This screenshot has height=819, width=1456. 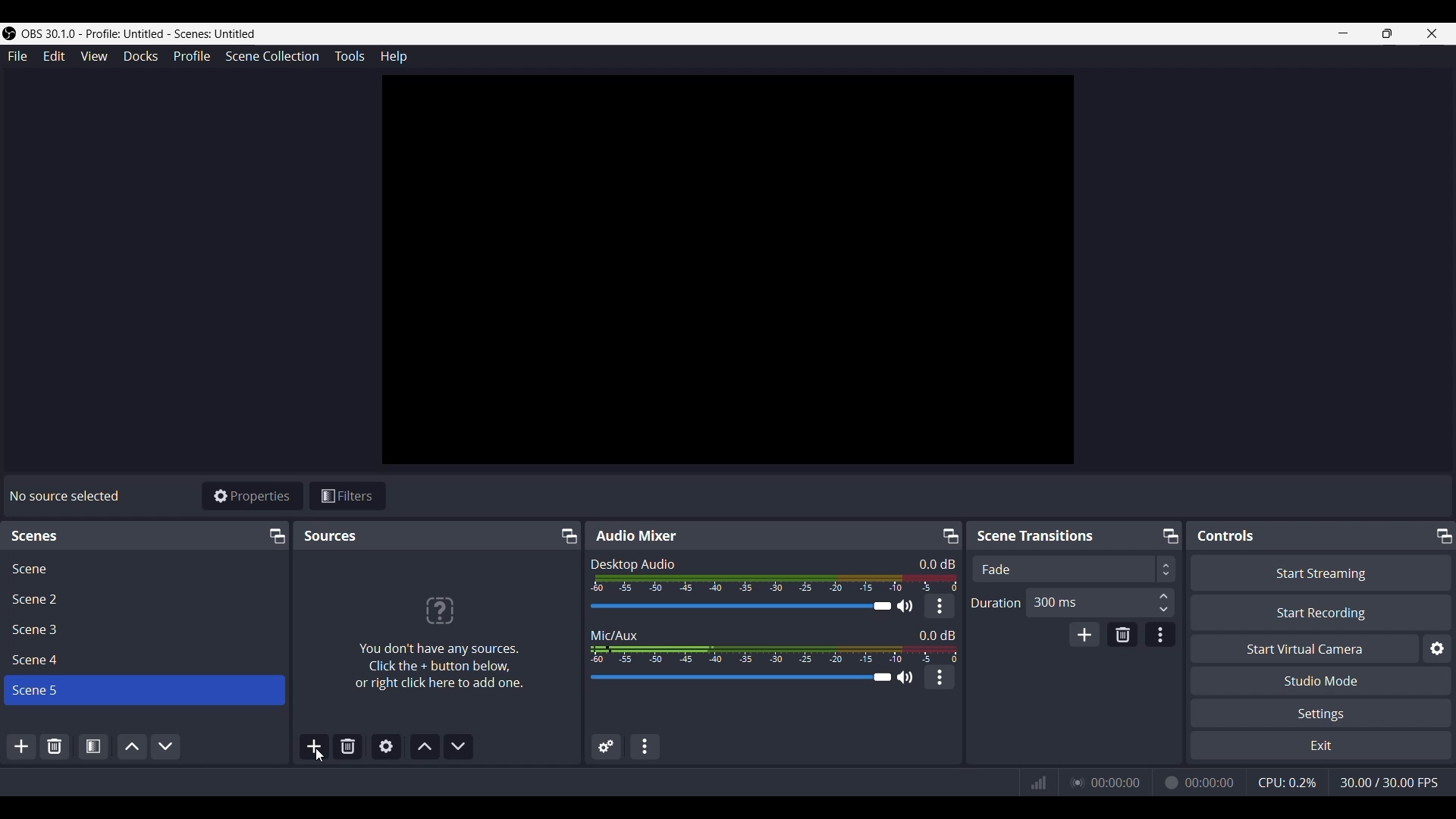 What do you see at coordinates (193, 57) in the screenshot?
I see `Profile` at bounding box center [193, 57].